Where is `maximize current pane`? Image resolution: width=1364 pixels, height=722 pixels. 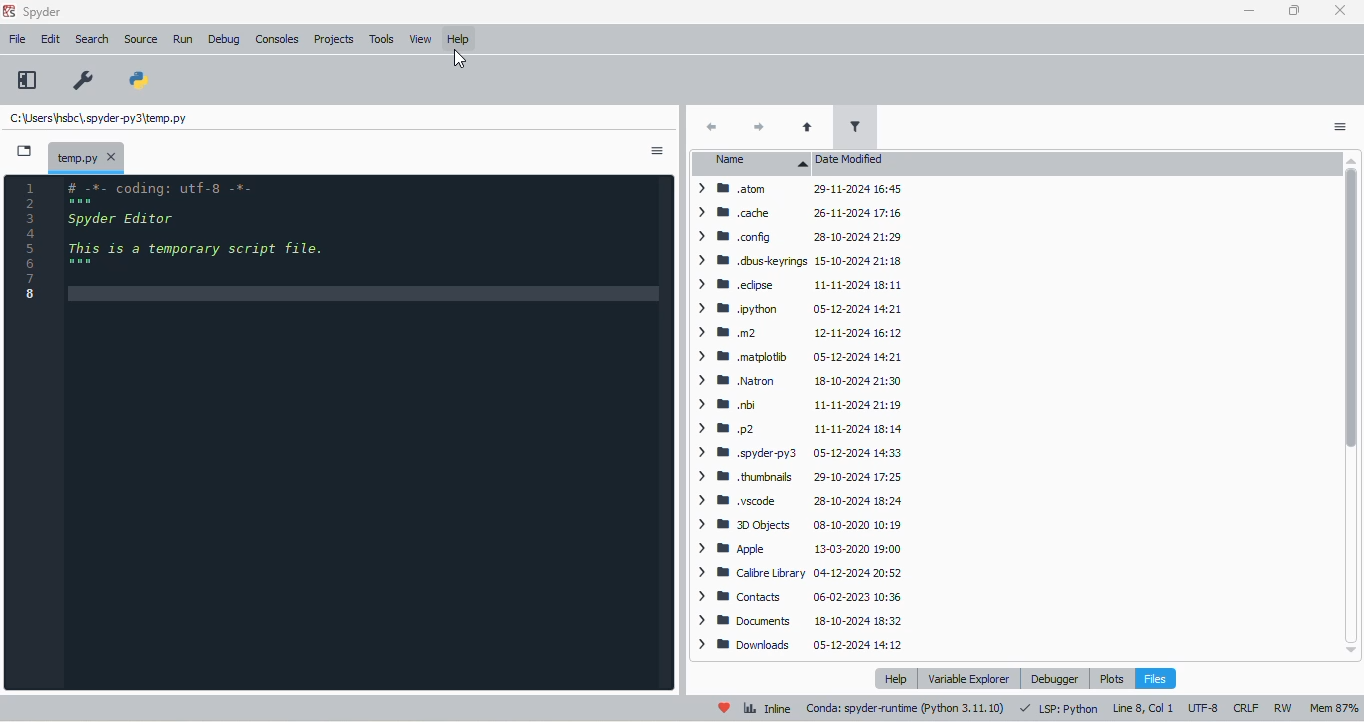
maximize current pane is located at coordinates (27, 79).